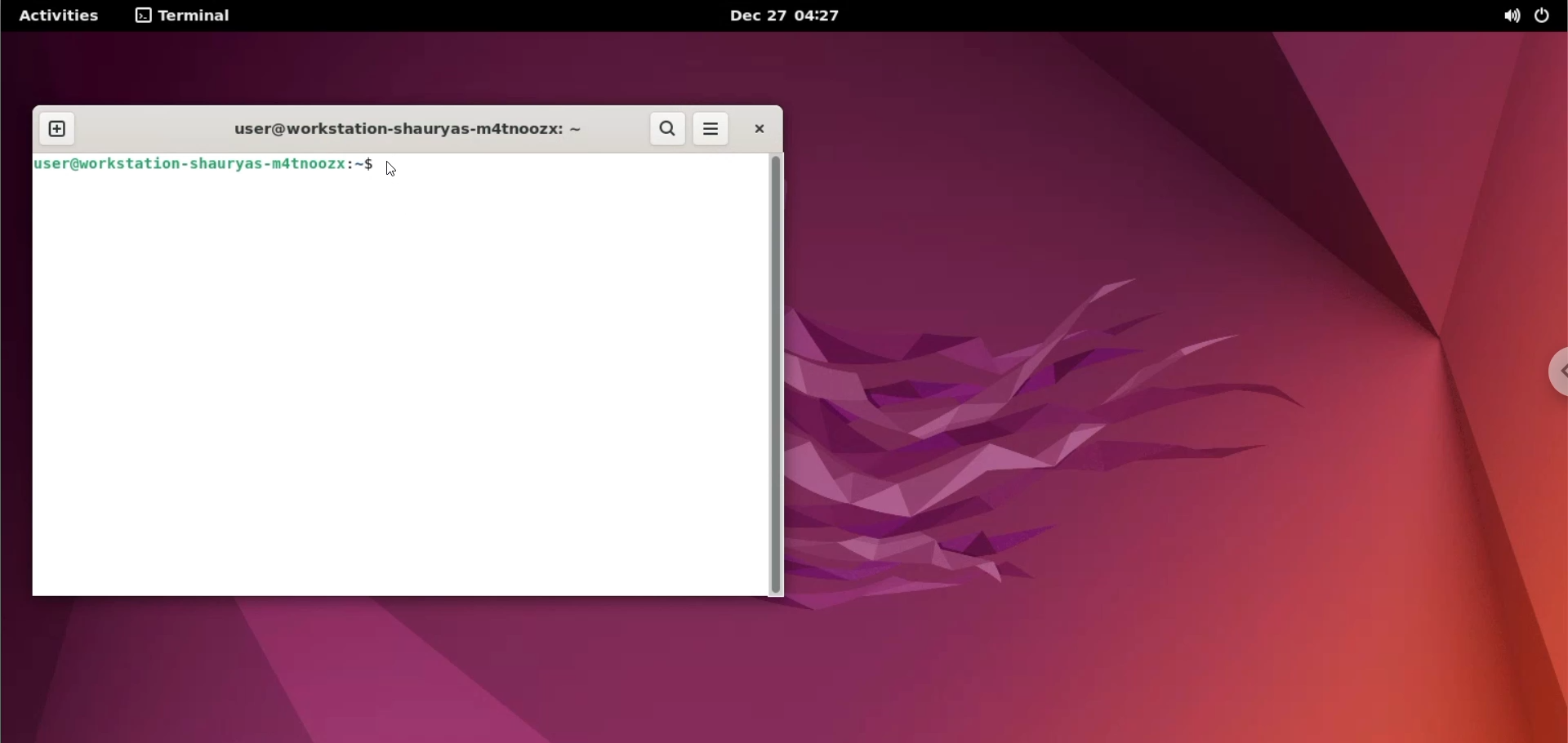 The width and height of the screenshot is (1568, 743). What do you see at coordinates (663, 129) in the screenshot?
I see `search` at bounding box center [663, 129].